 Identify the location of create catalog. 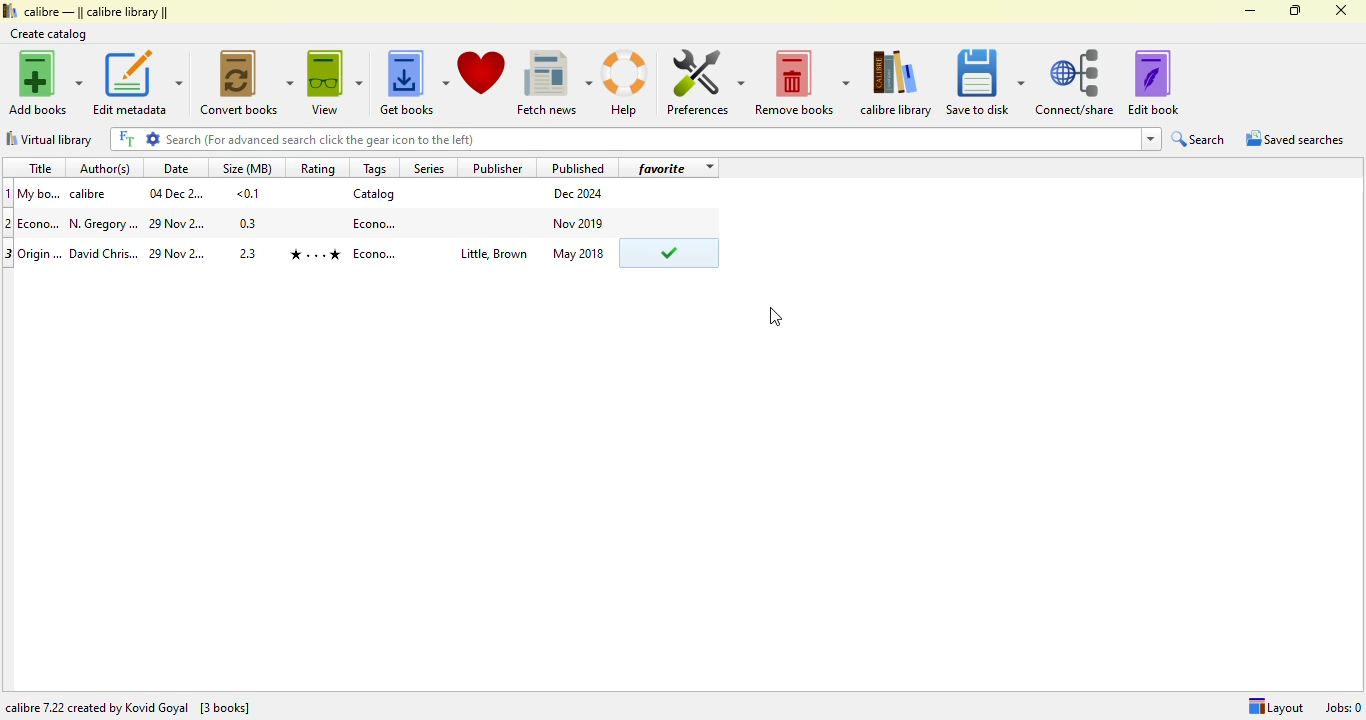
(49, 34).